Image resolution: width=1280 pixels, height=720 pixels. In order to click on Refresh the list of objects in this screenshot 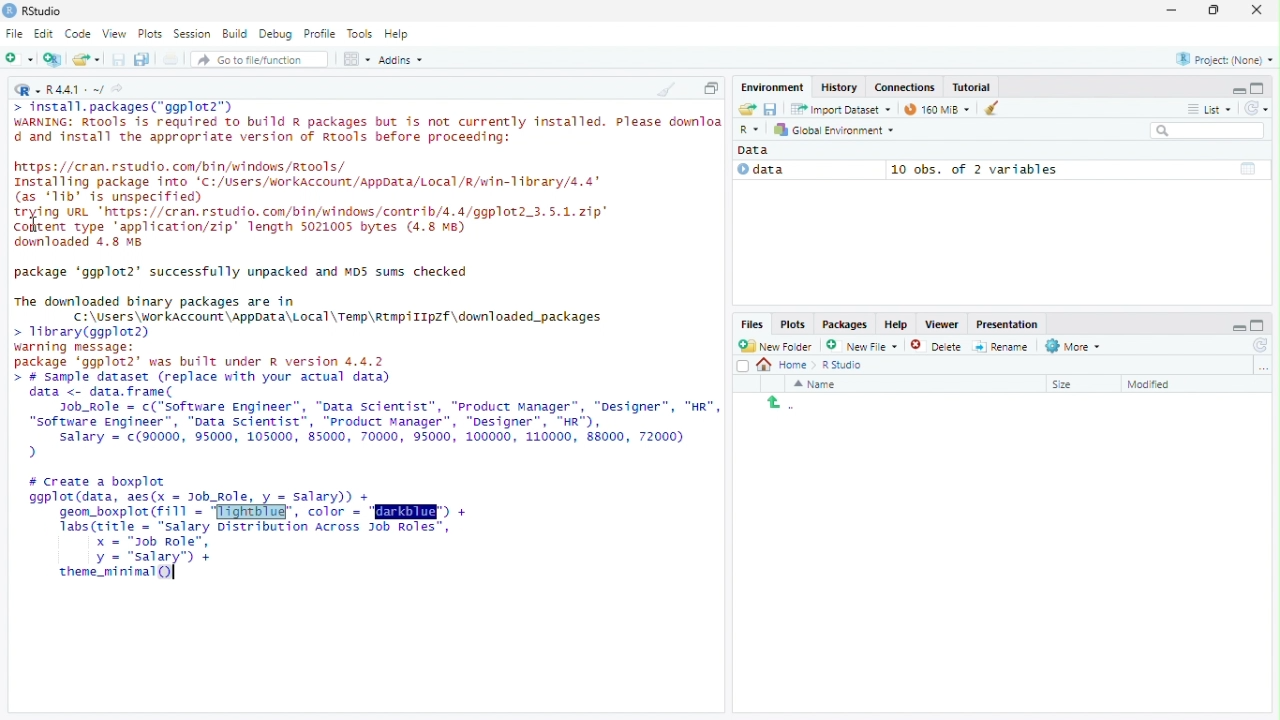, I will do `click(1256, 107)`.